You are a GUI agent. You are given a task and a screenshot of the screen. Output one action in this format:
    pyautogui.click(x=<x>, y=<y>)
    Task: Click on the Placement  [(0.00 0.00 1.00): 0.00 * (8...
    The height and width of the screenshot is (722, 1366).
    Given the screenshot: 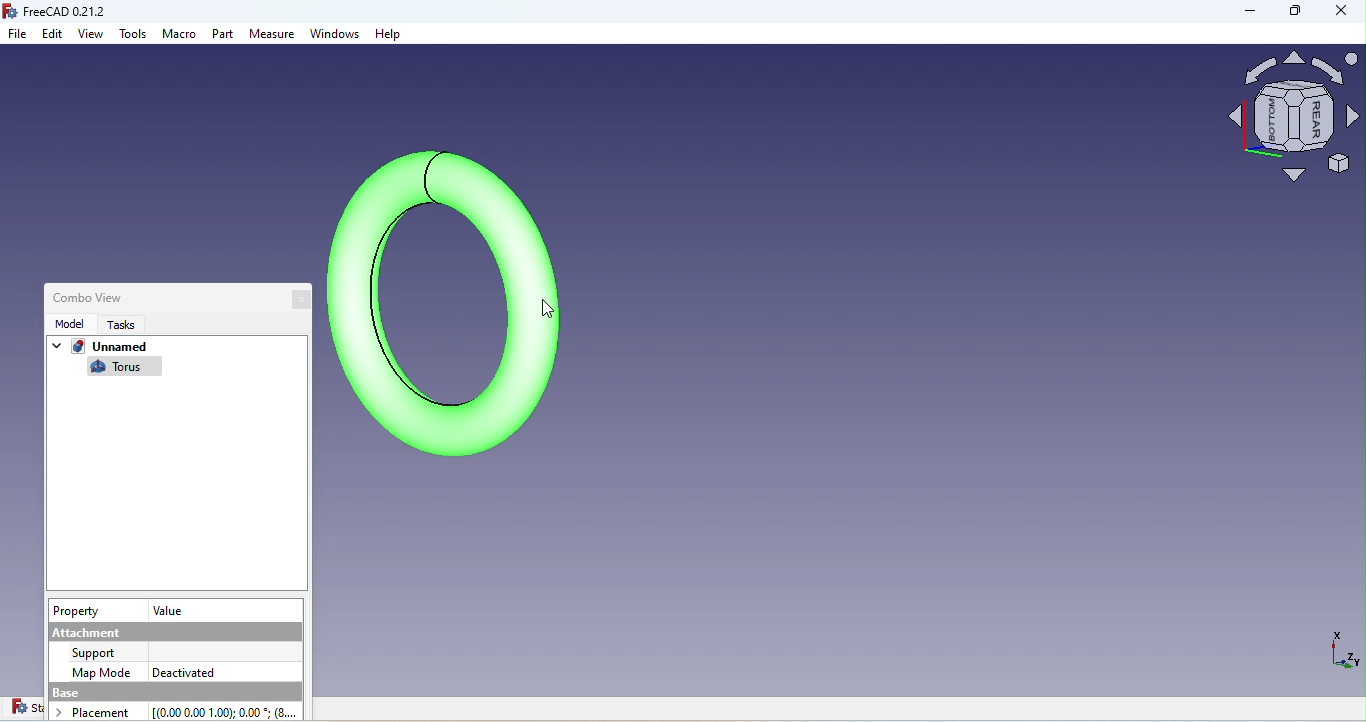 What is the action you would take?
    pyautogui.click(x=181, y=711)
    